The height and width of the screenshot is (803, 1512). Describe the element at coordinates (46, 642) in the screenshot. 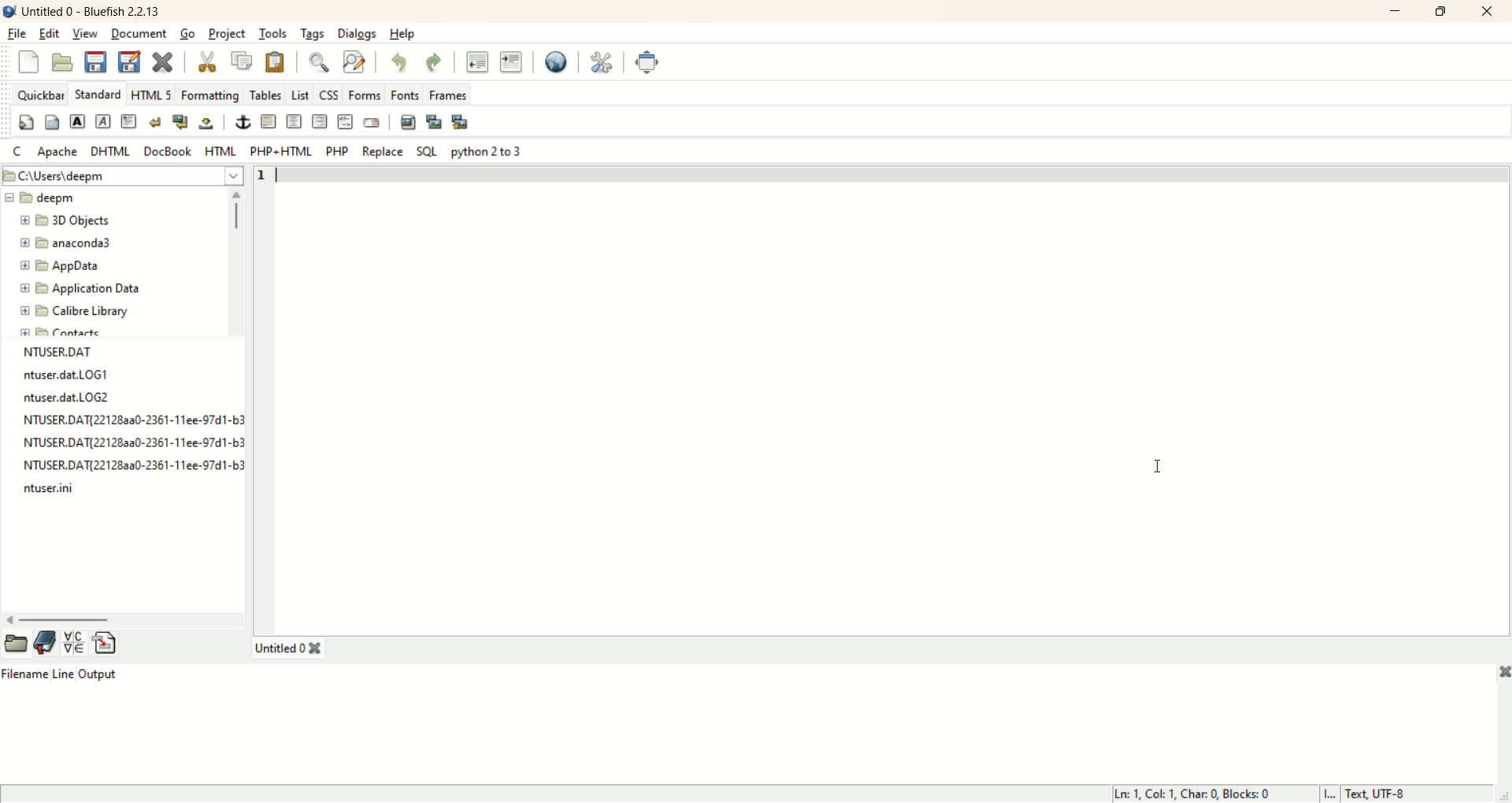

I see `documentation` at that location.